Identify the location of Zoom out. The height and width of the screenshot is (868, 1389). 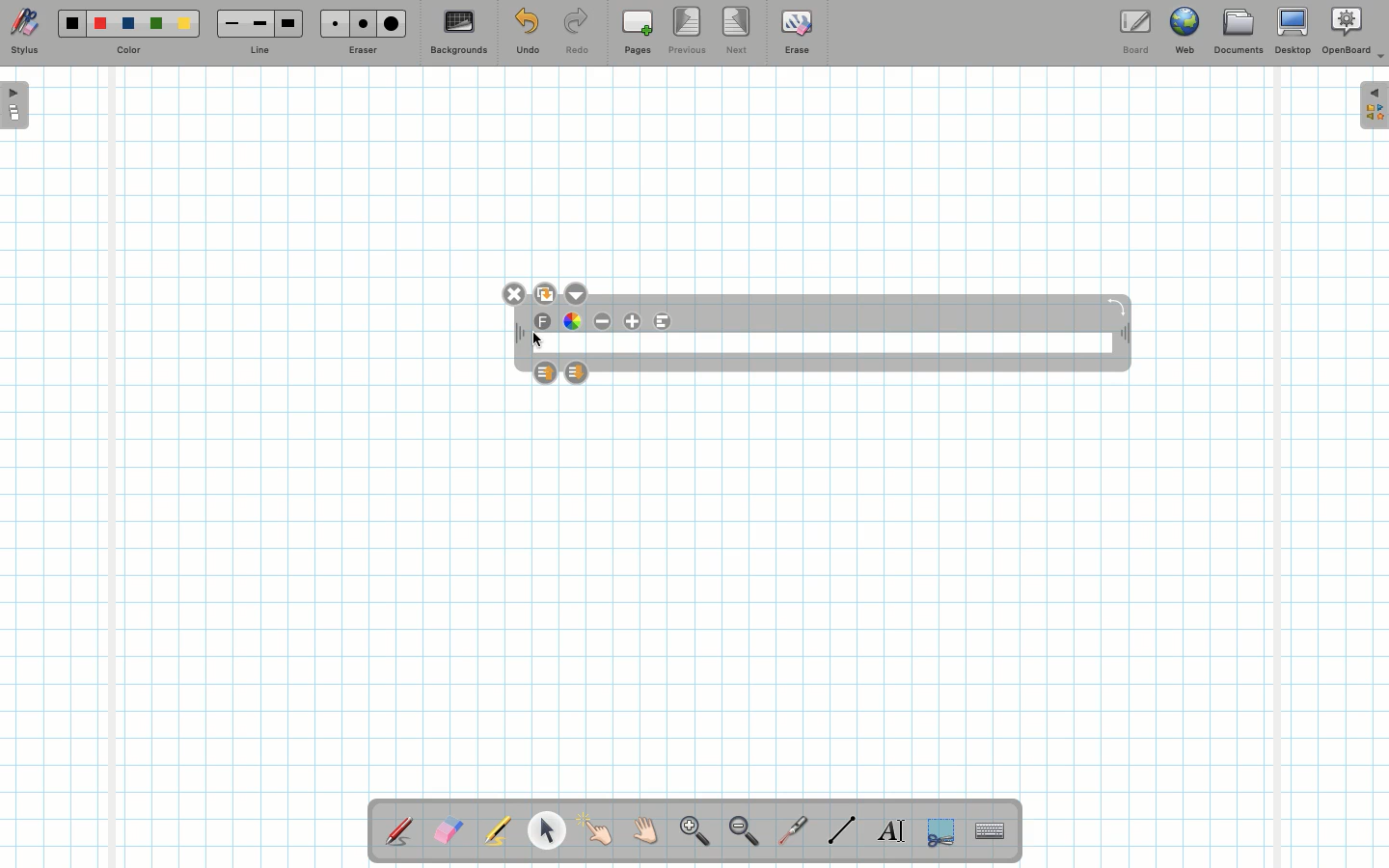
(744, 832).